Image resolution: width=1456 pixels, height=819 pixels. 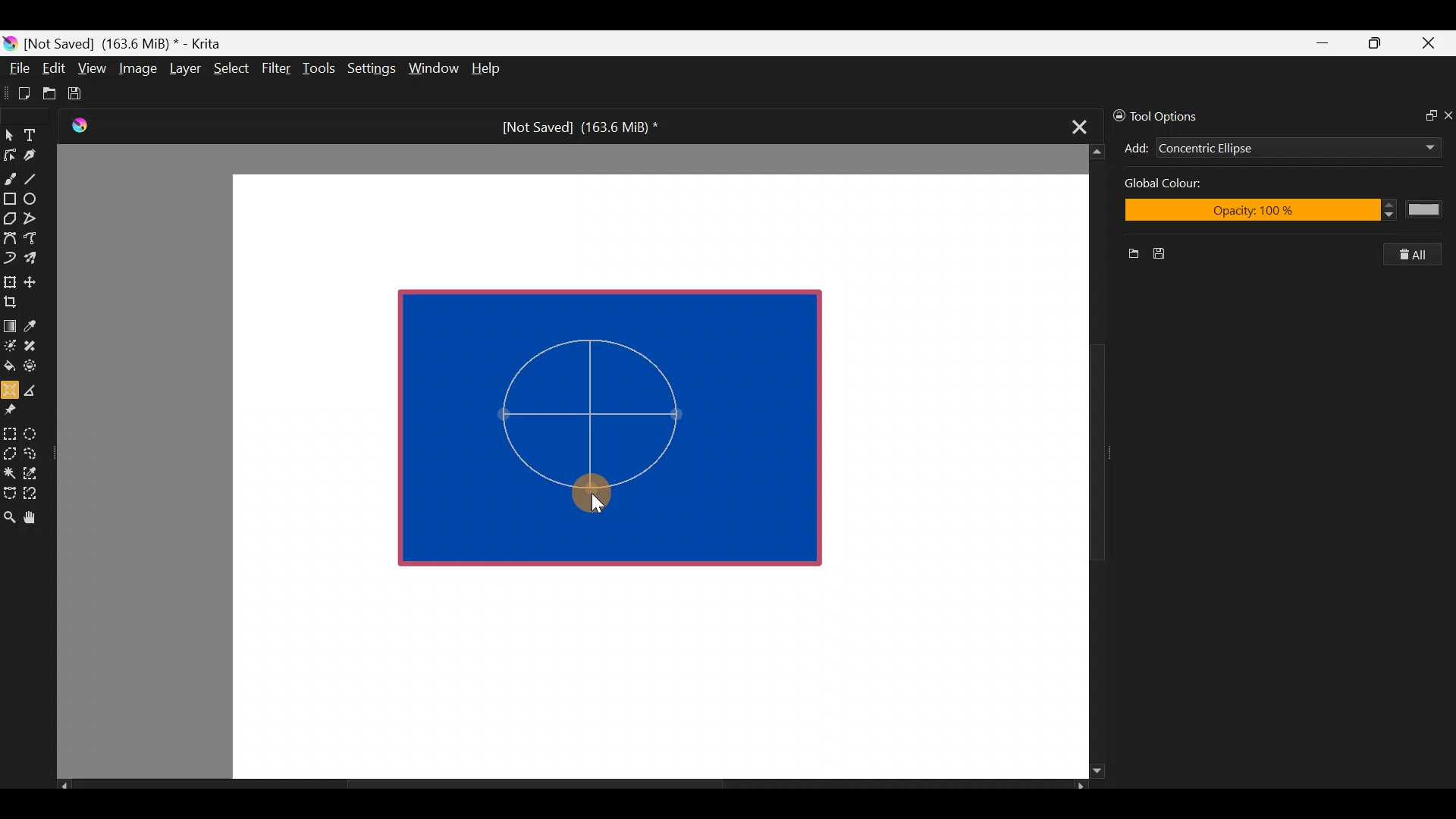 I want to click on Freehand brush tool, so click(x=10, y=173).